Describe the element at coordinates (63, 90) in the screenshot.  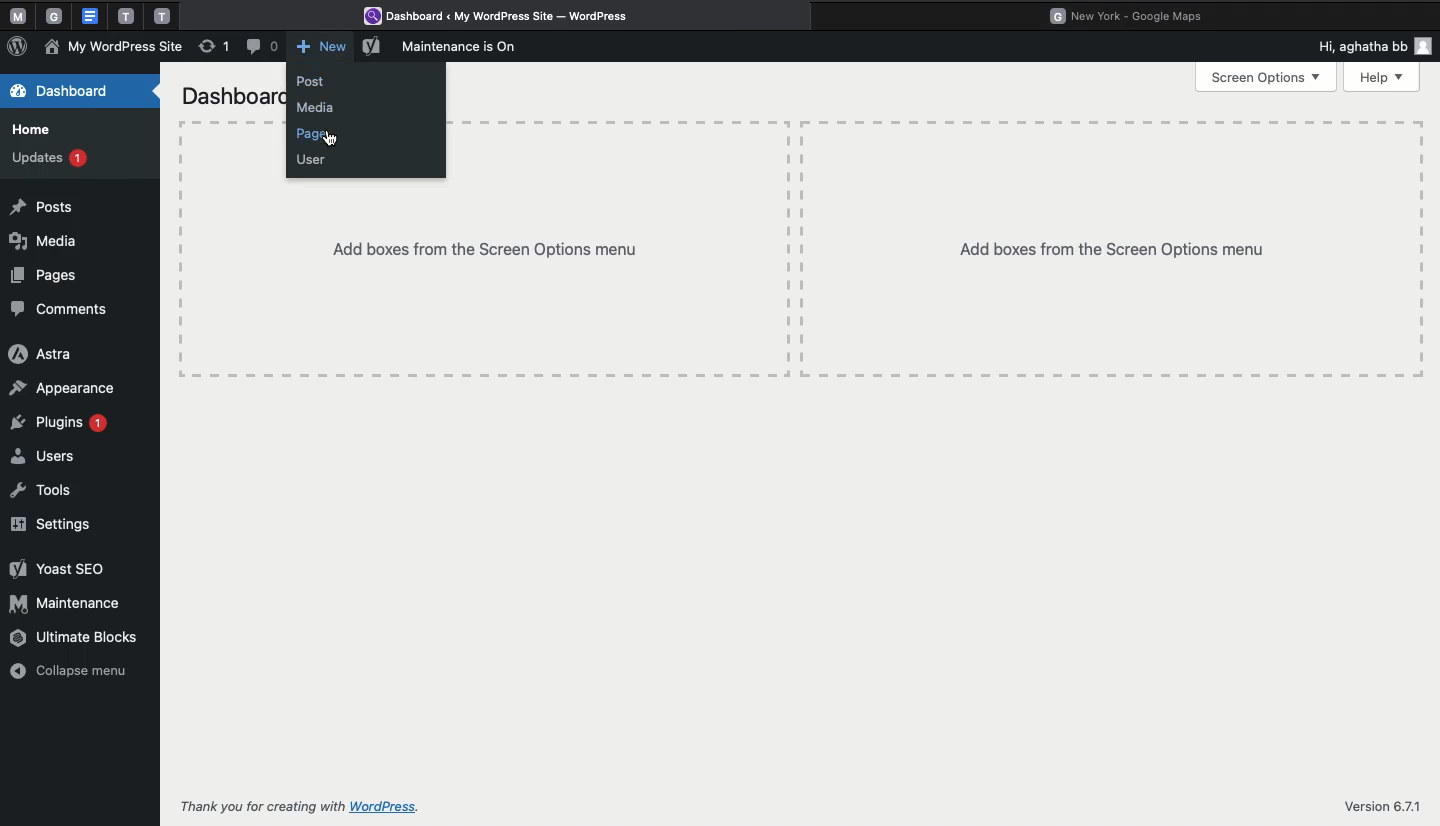
I see `Dashboard` at that location.